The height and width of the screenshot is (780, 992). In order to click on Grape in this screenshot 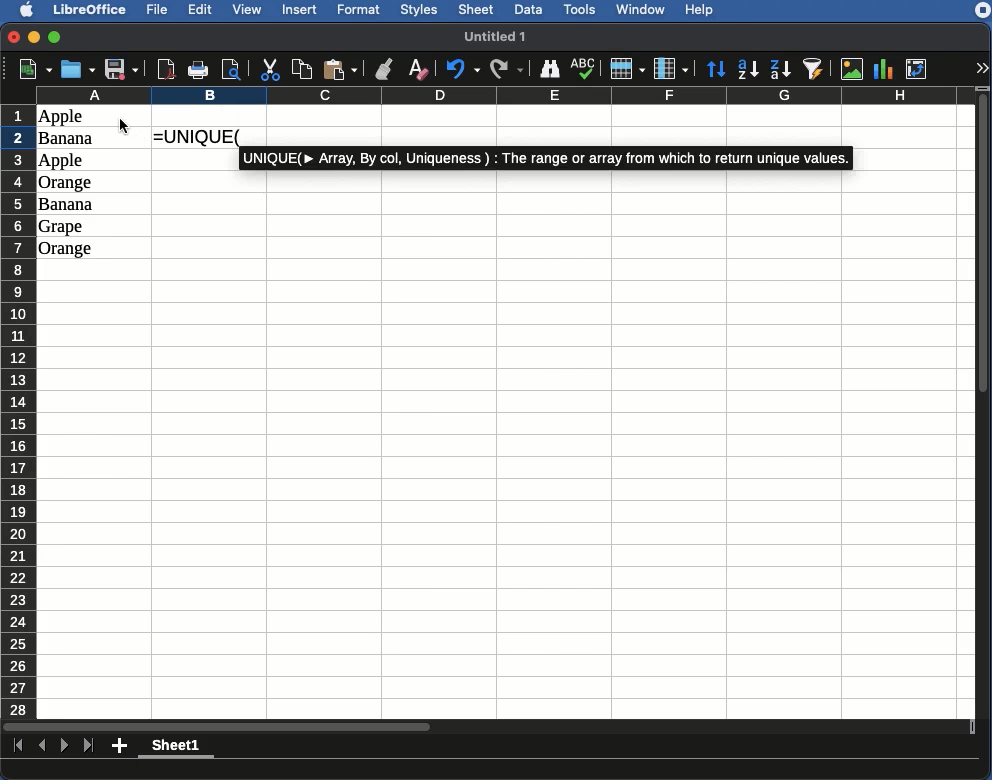, I will do `click(63, 227)`.